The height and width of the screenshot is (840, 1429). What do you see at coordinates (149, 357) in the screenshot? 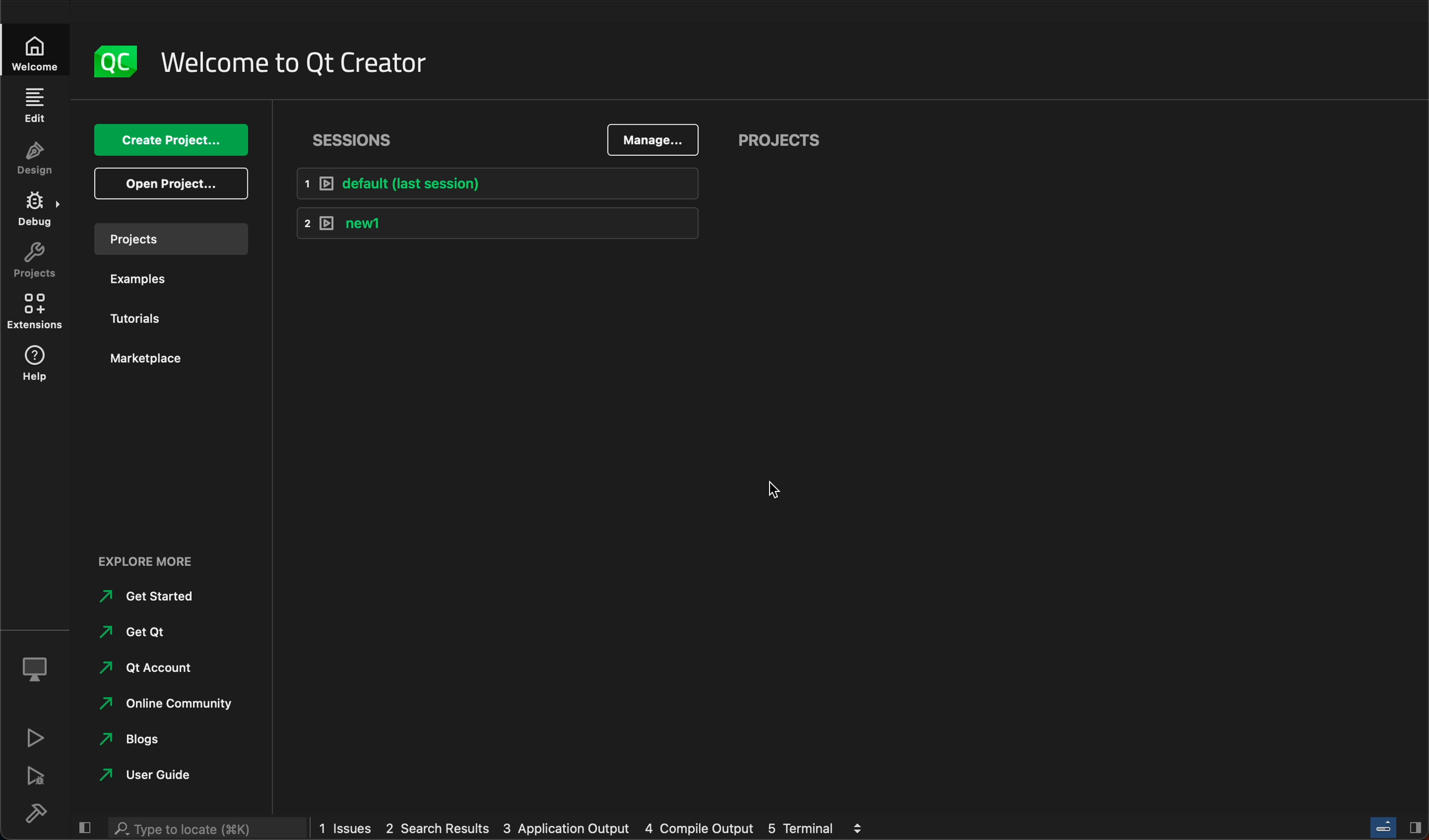
I see `marketplace` at bounding box center [149, 357].